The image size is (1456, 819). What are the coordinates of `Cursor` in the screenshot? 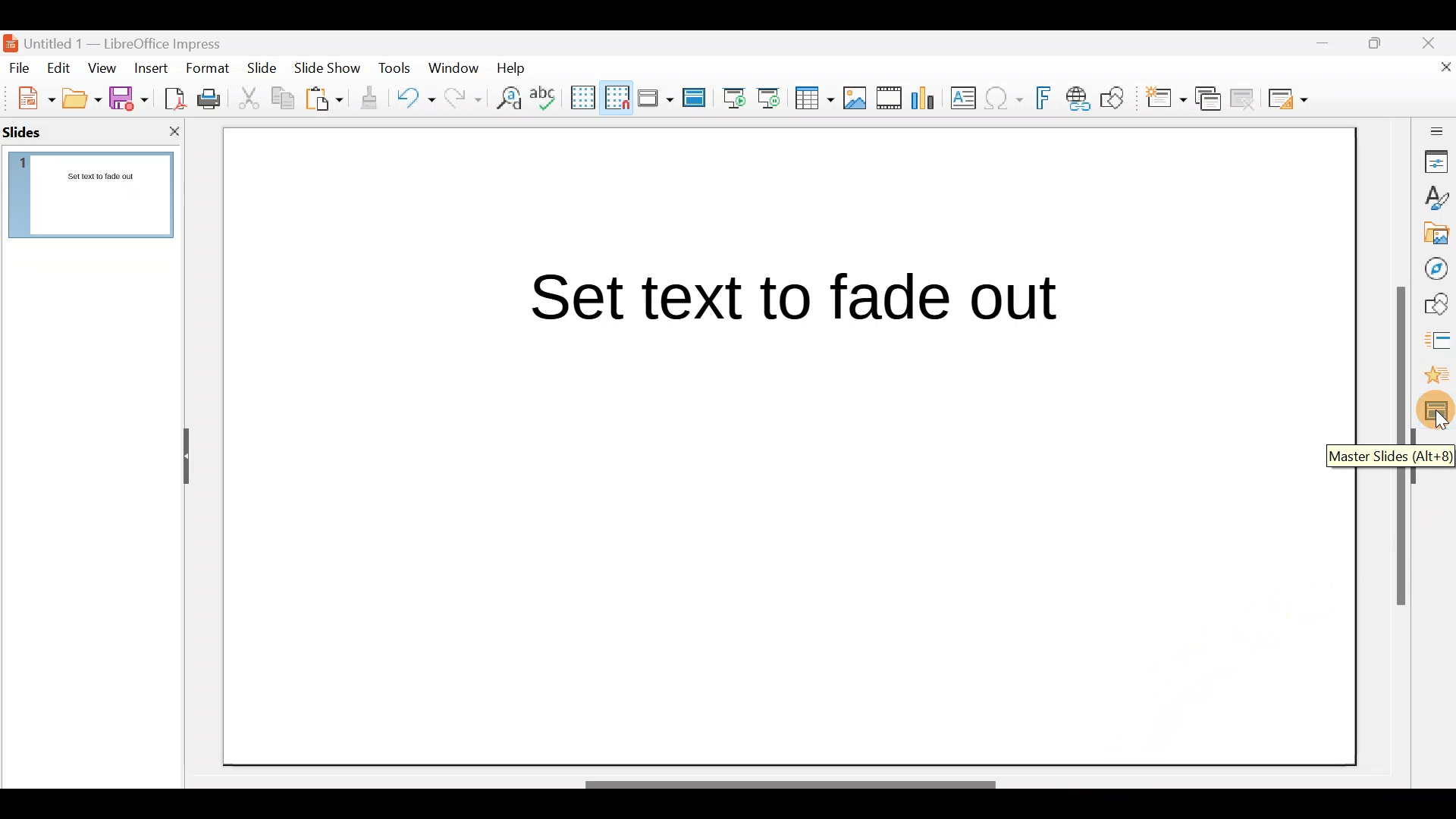 It's located at (1439, 423).